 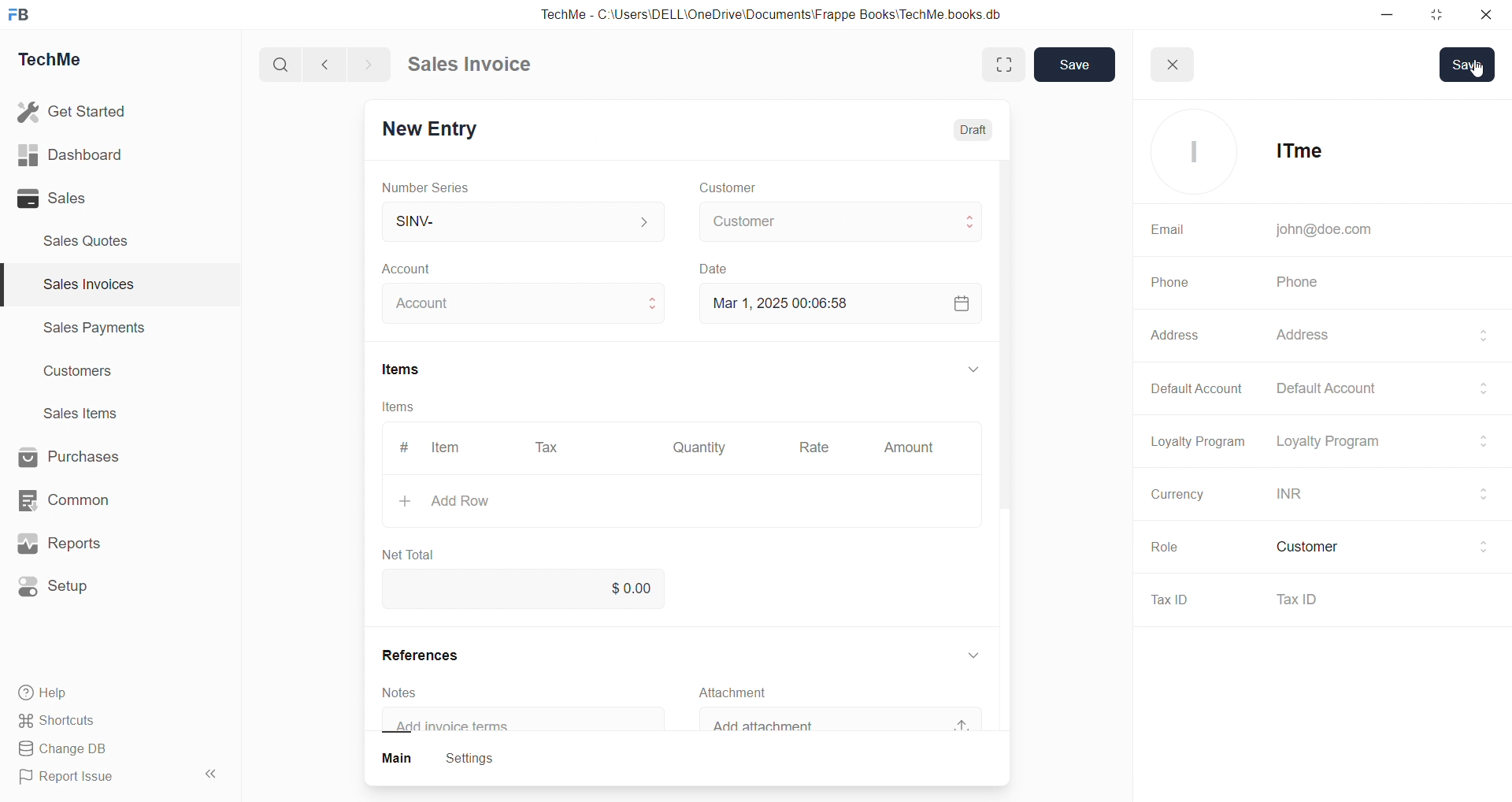 What do you see at coordinates (751, 689) in the screenshot?
I see `Attachment` at bounding box center [751, 689].